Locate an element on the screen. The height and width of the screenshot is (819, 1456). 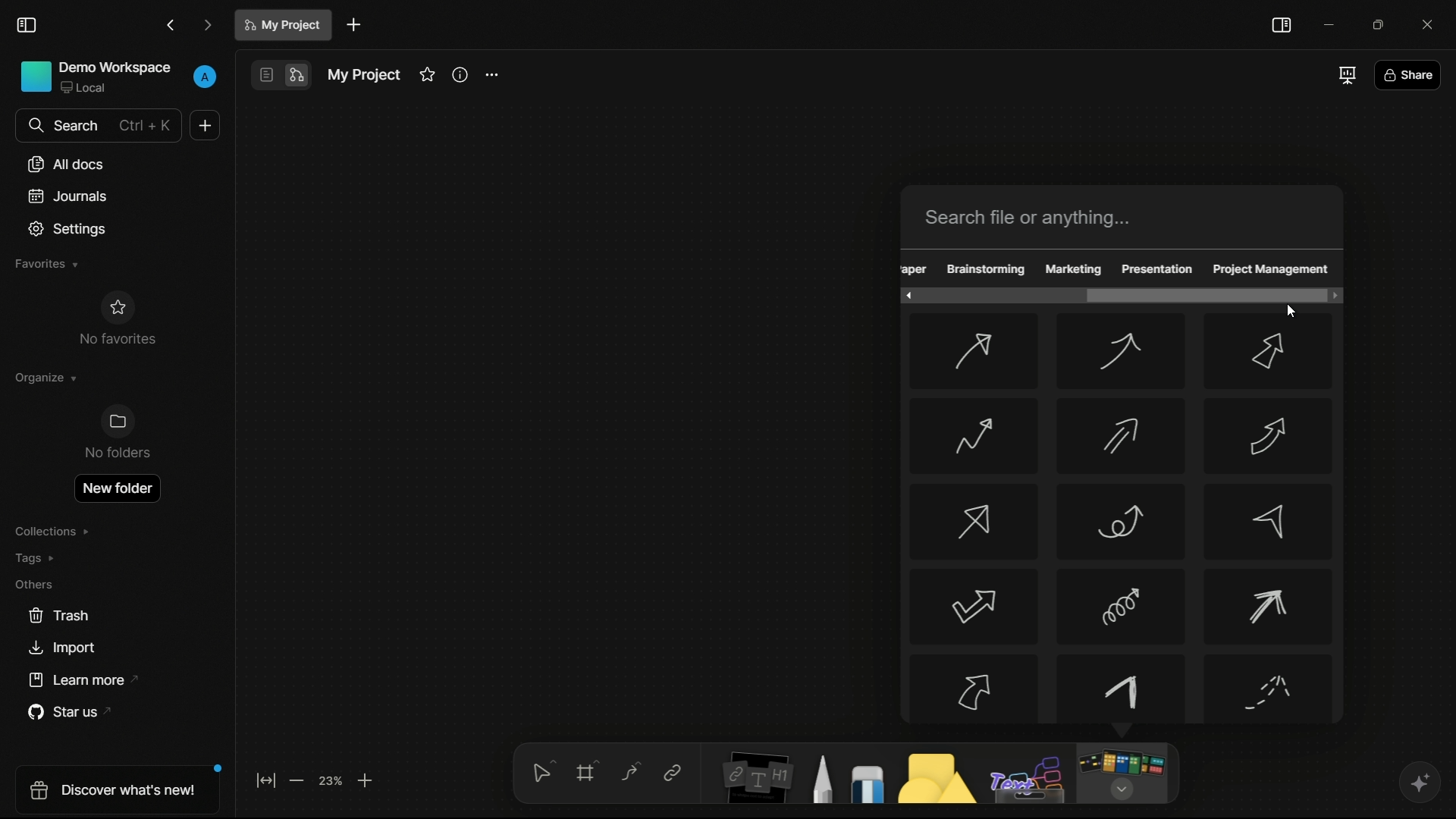
minimize is located at coordinates (1331, 24).